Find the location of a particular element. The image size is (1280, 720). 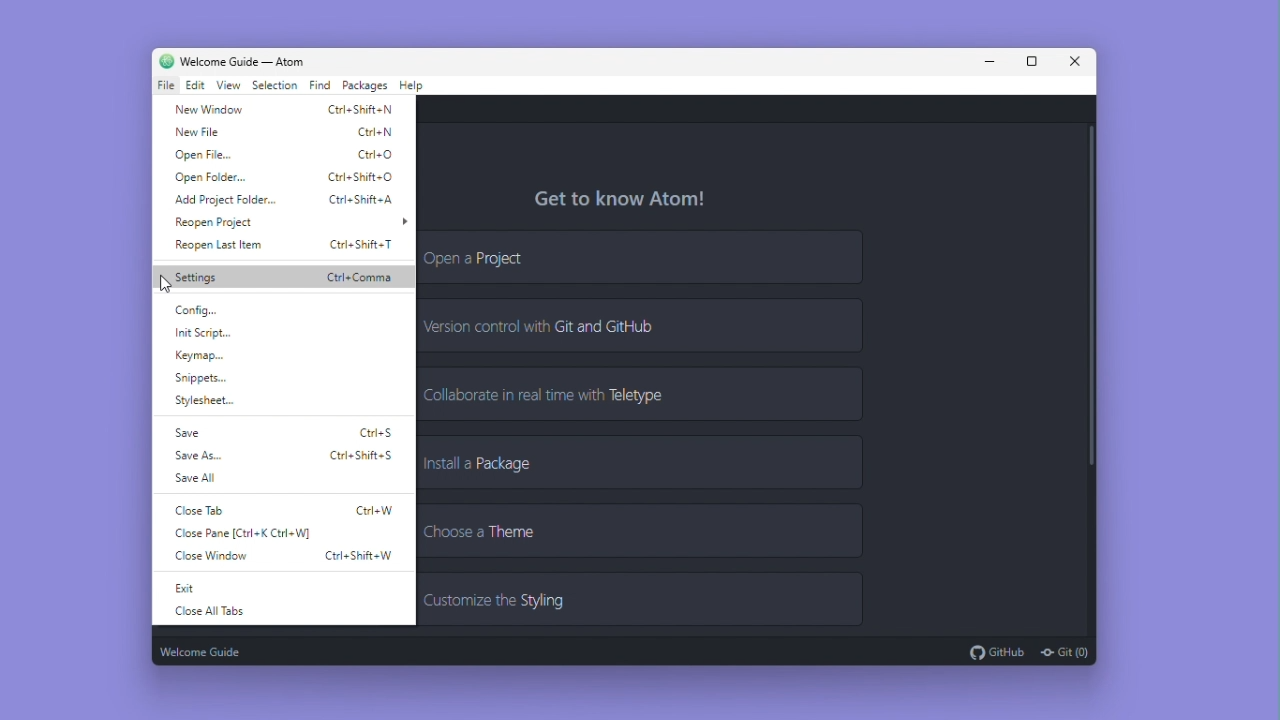

get to know atom! is located at coordinates (628, 199).